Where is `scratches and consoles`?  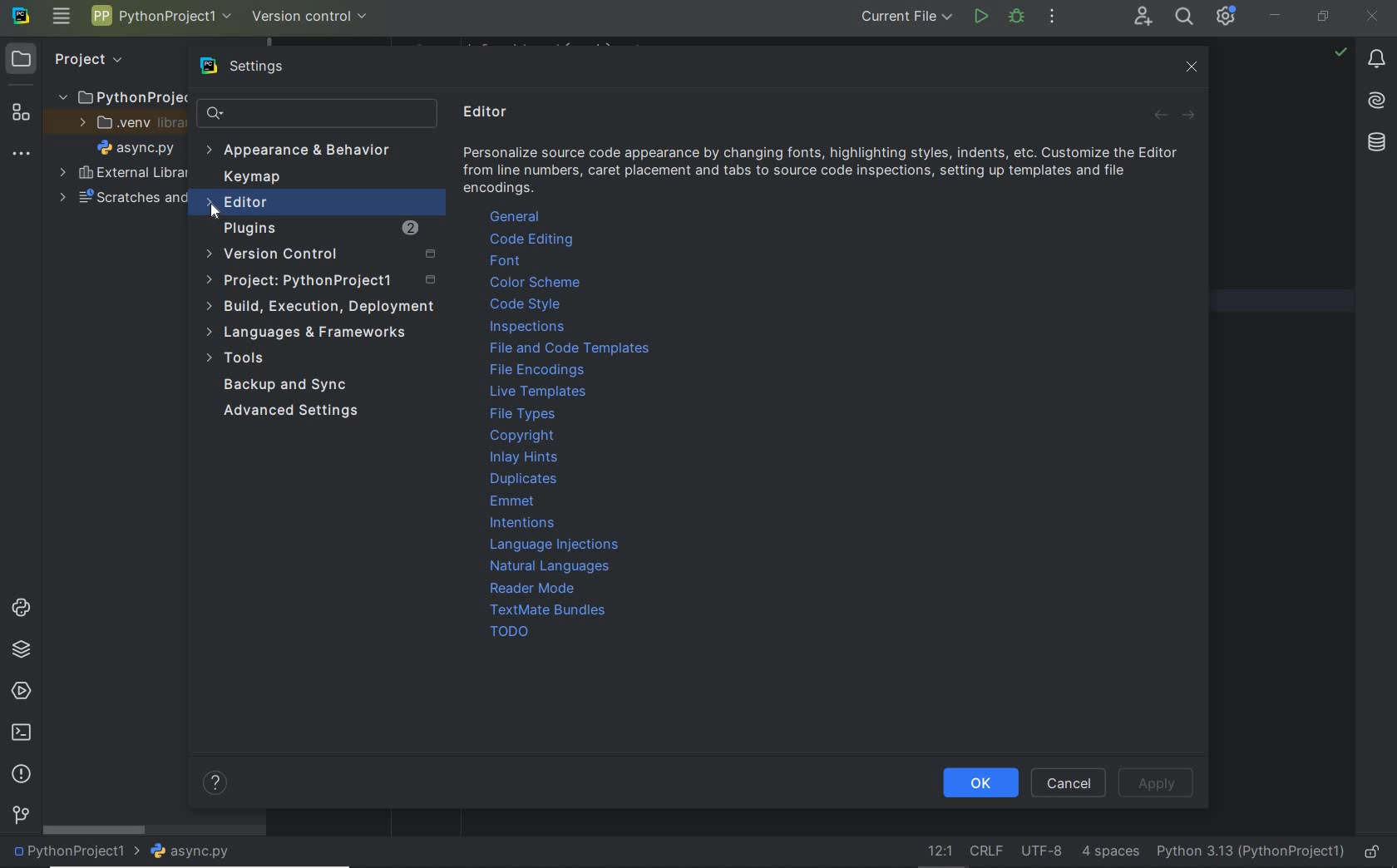 scratches and consoles is located at coordinates (115, 200).